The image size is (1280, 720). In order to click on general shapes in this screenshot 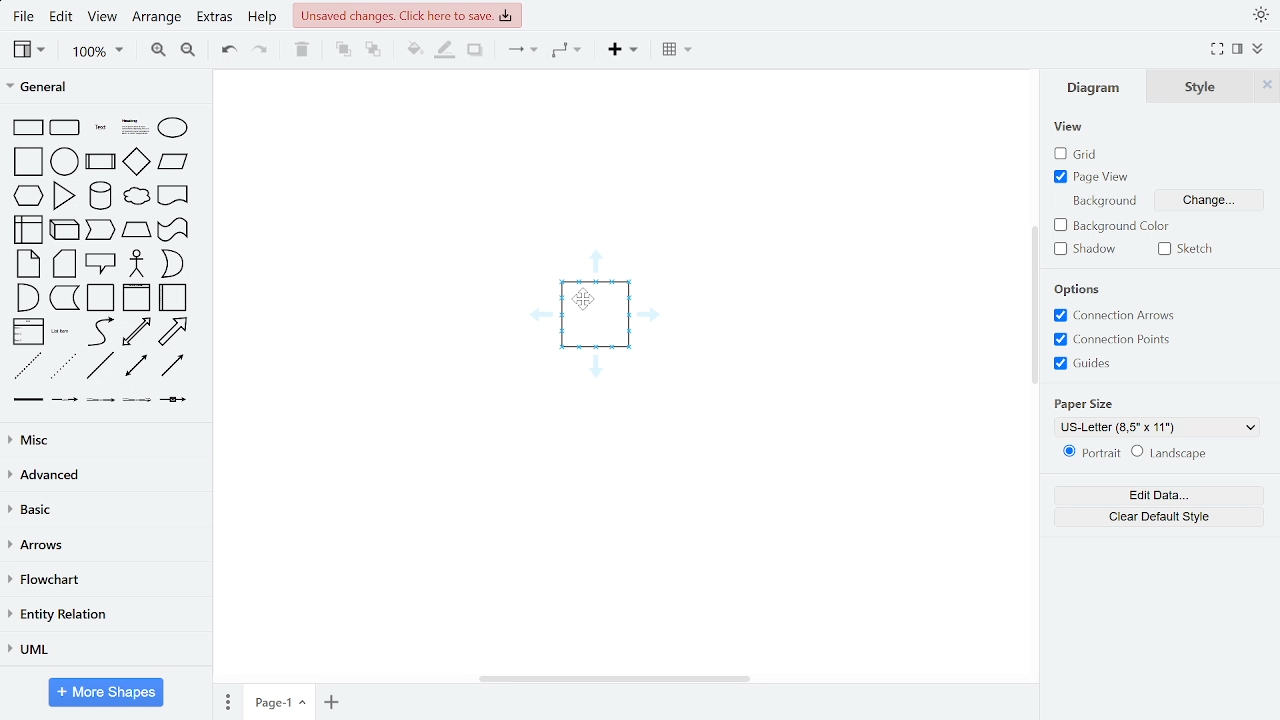, I will do `click(29, 263)`.